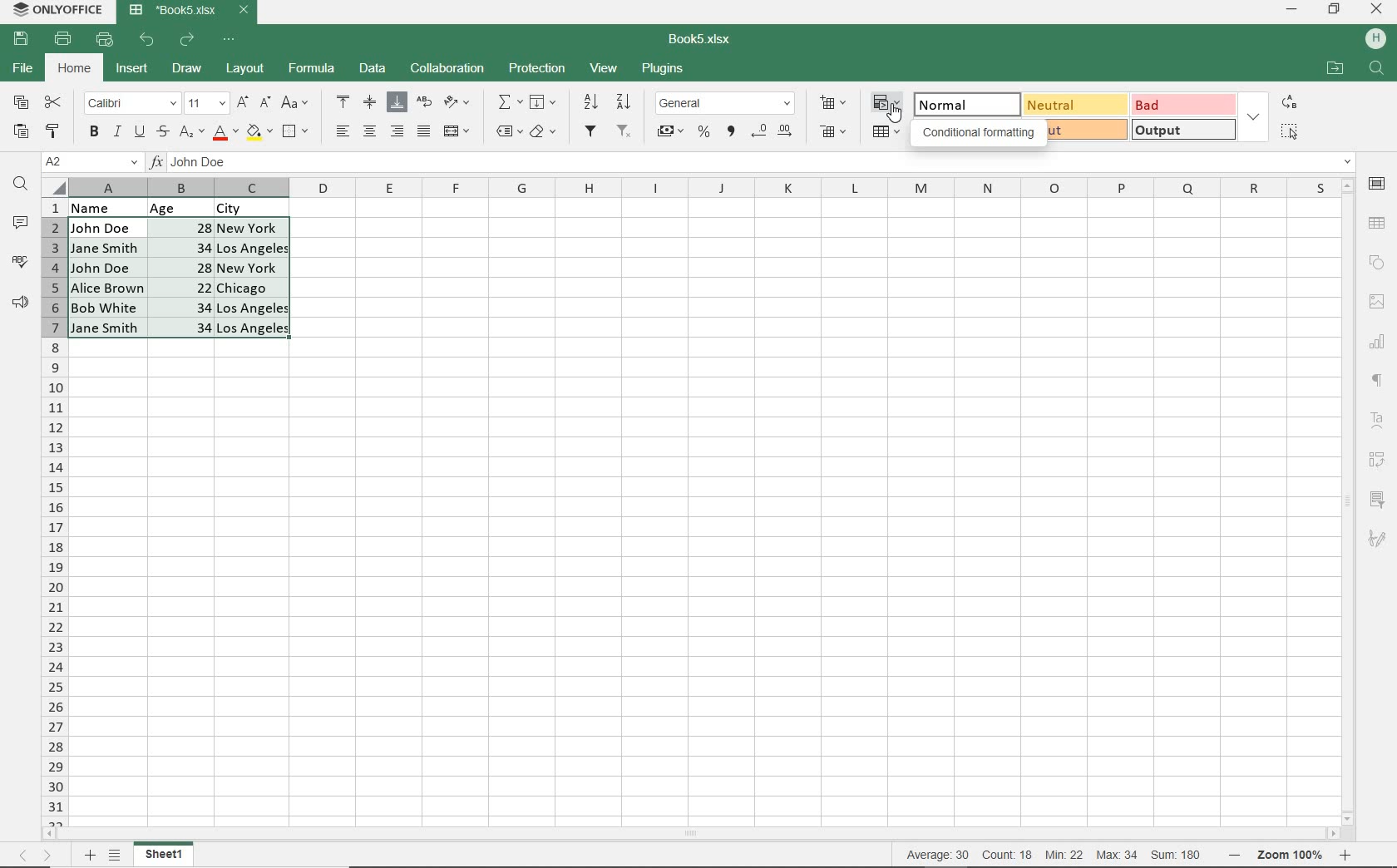  Describe the element at coordinates (425, 104) in the screenshot. I see `WRAP TEXT` at that location.